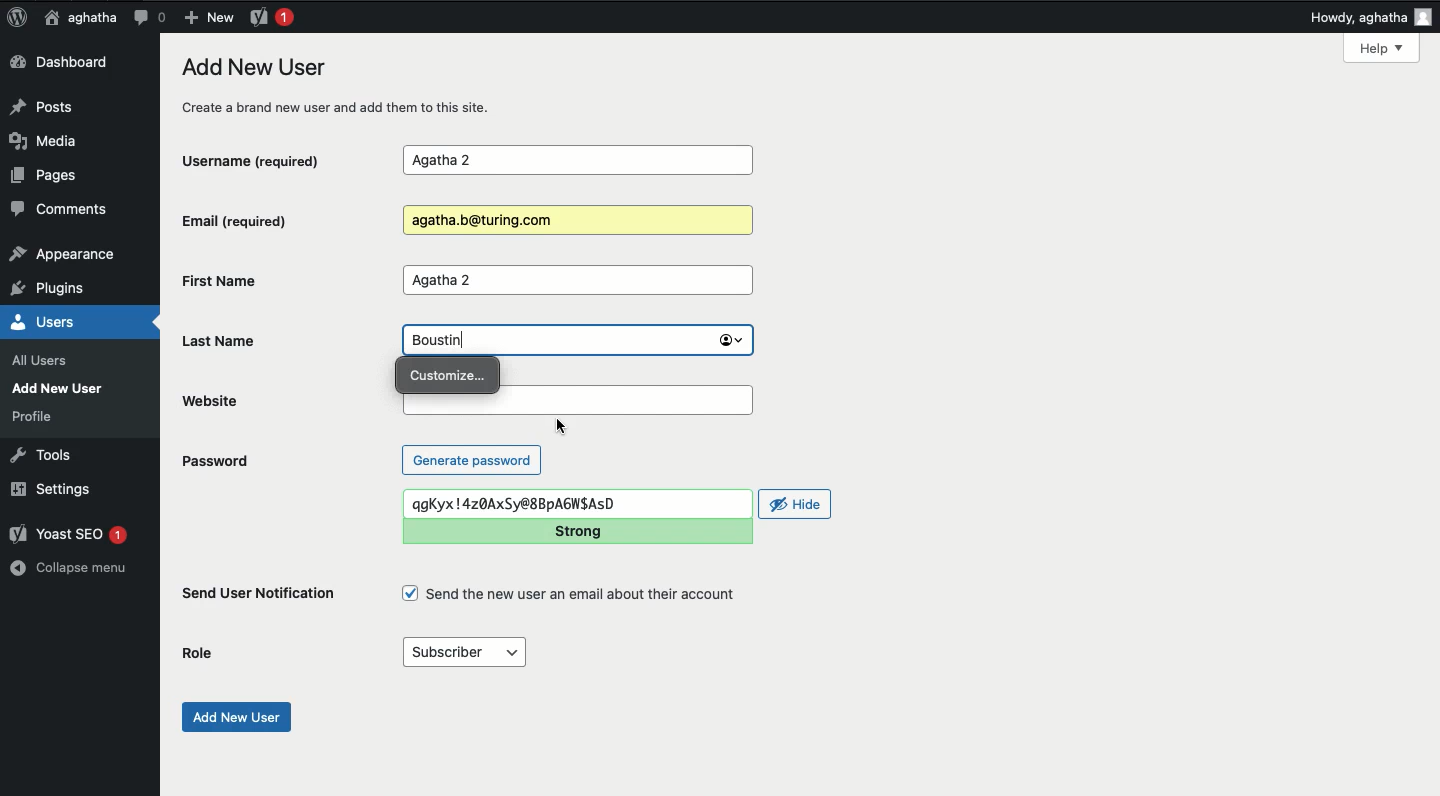  I want to click on Email (required), so click(269, 220).